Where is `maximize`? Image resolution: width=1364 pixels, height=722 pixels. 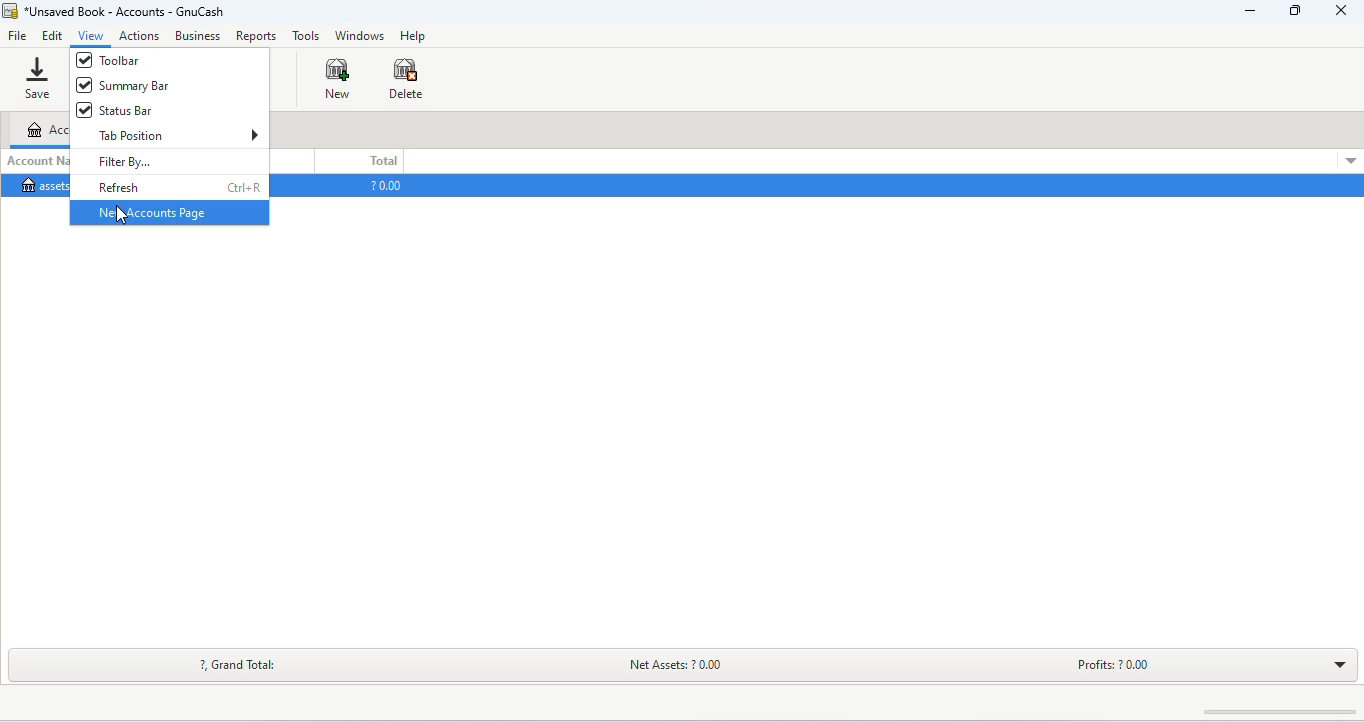
maximize is located at coordinates (1294, 12).